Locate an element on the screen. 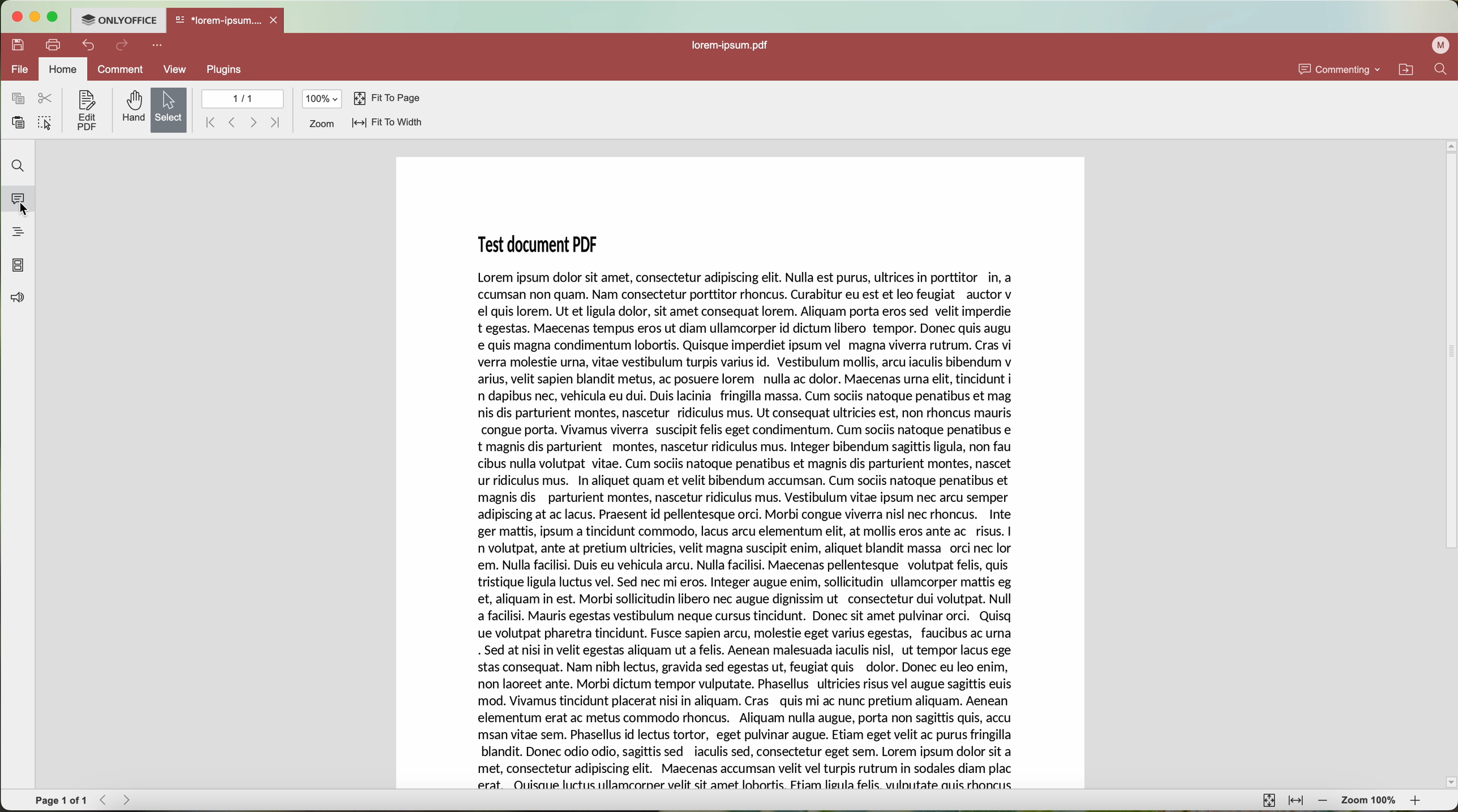  feedback & support is located at coordinates (18, 299).